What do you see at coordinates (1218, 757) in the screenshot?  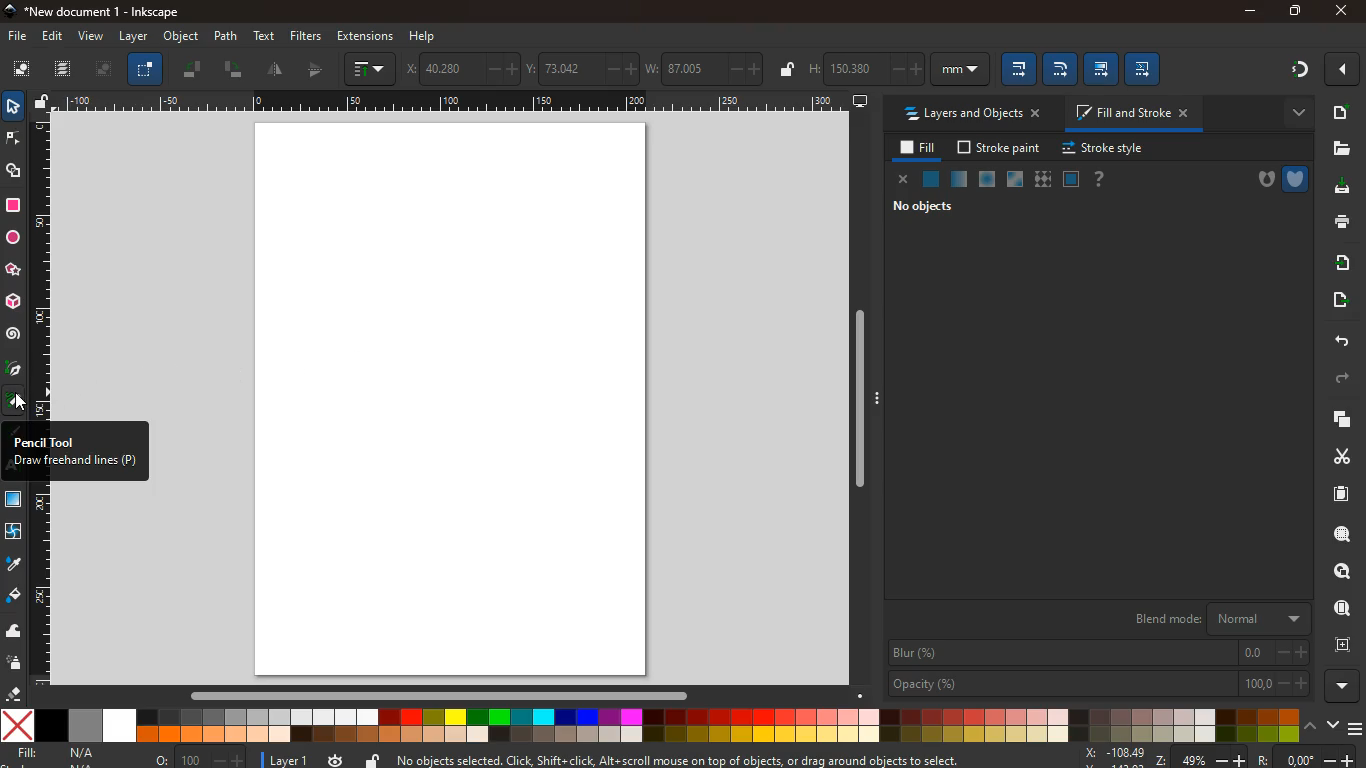 I see `coordinates` at bounding box center [1218, 757].